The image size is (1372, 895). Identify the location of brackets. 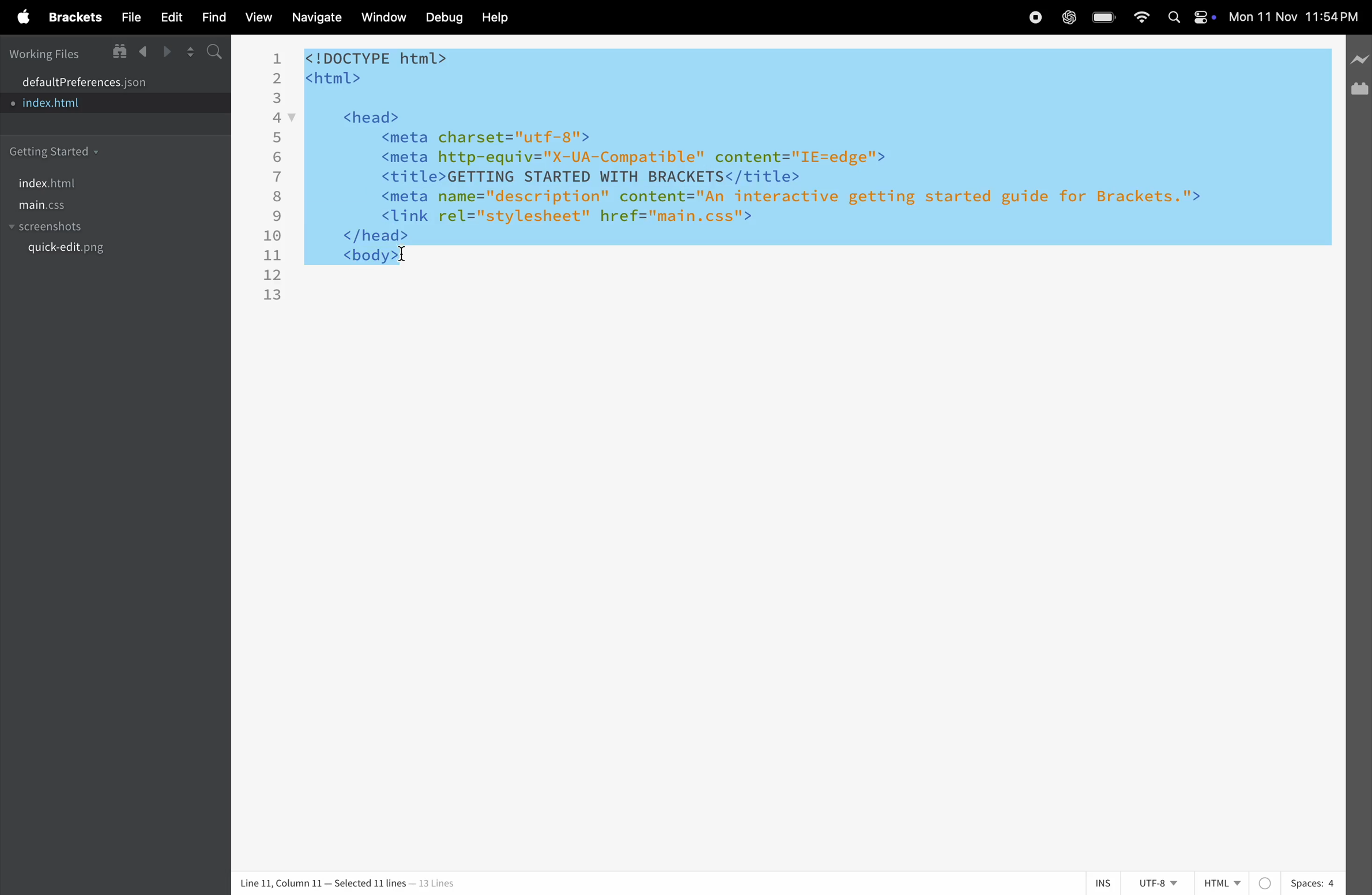
(72, 16).